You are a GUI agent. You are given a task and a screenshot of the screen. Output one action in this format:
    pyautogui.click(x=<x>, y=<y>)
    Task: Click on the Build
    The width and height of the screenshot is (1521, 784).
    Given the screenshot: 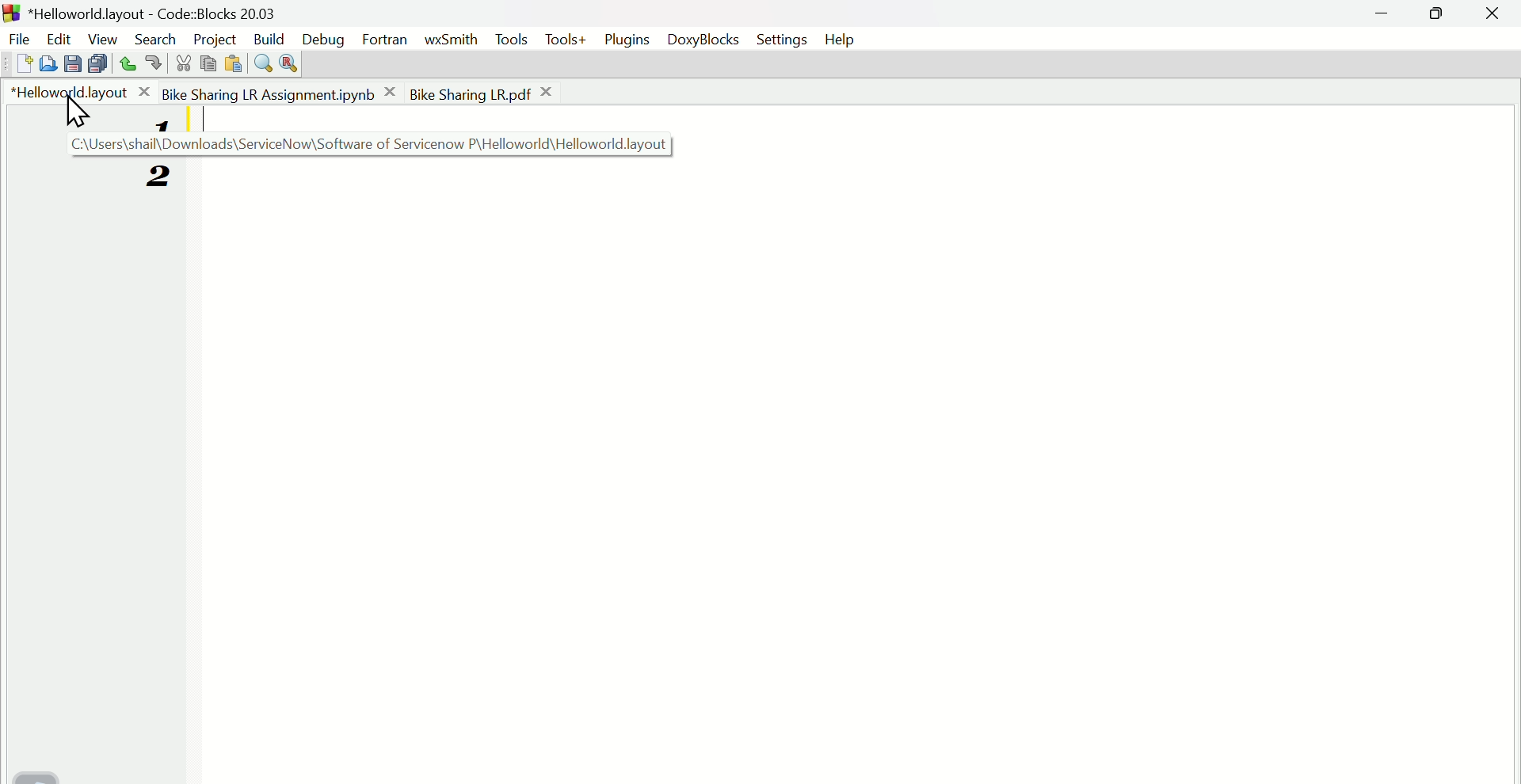 What is the action you would take?
    pyautogui.click(x=269, y=36)
    